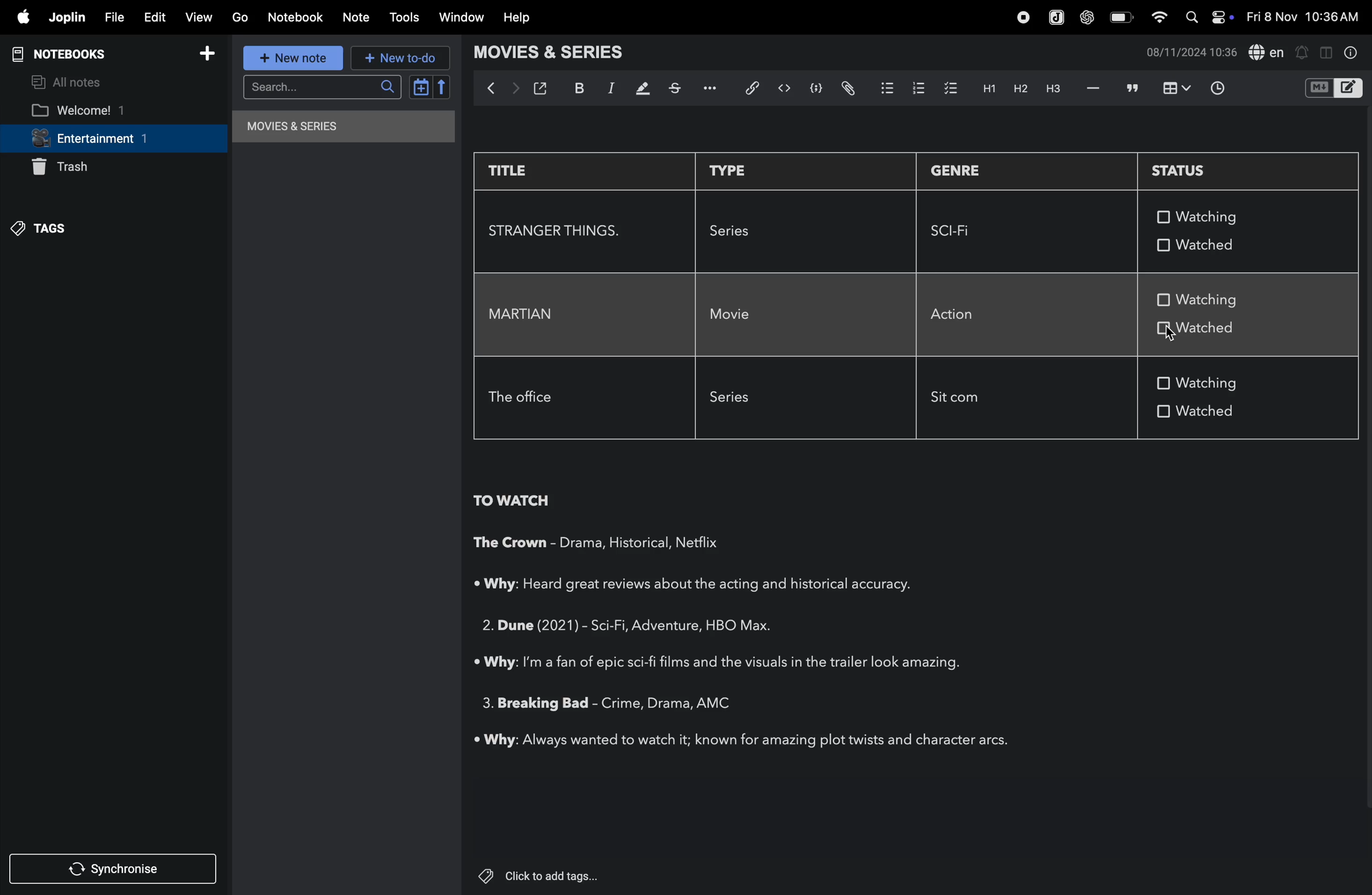 The width and height of the screenshot is (1372, 895). Describe the element at coordinates (646, 703) in the screenshot. I see `genre` at that location.